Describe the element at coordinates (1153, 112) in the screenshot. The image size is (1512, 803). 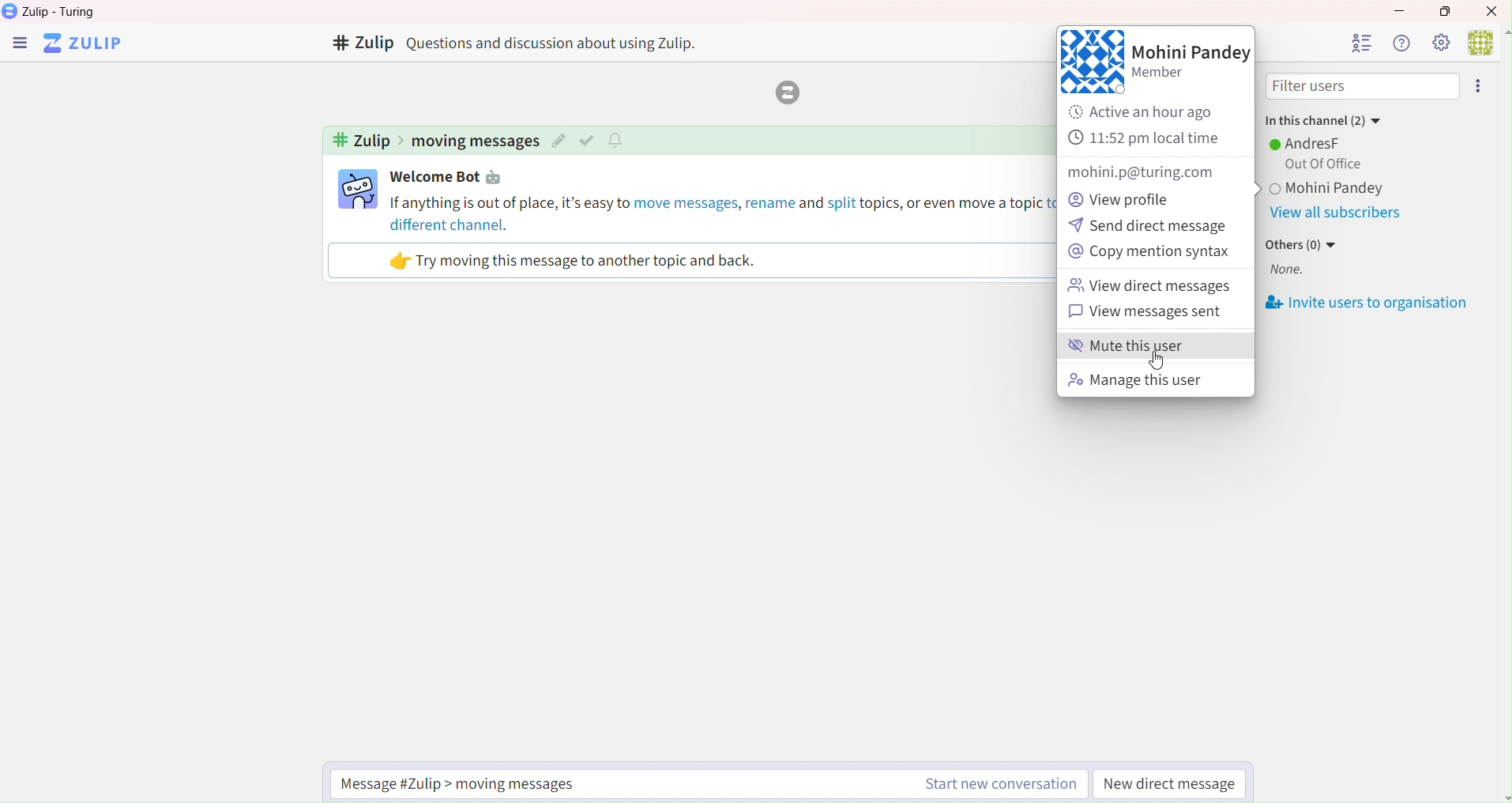
I see `Active an hour ago` at that location.